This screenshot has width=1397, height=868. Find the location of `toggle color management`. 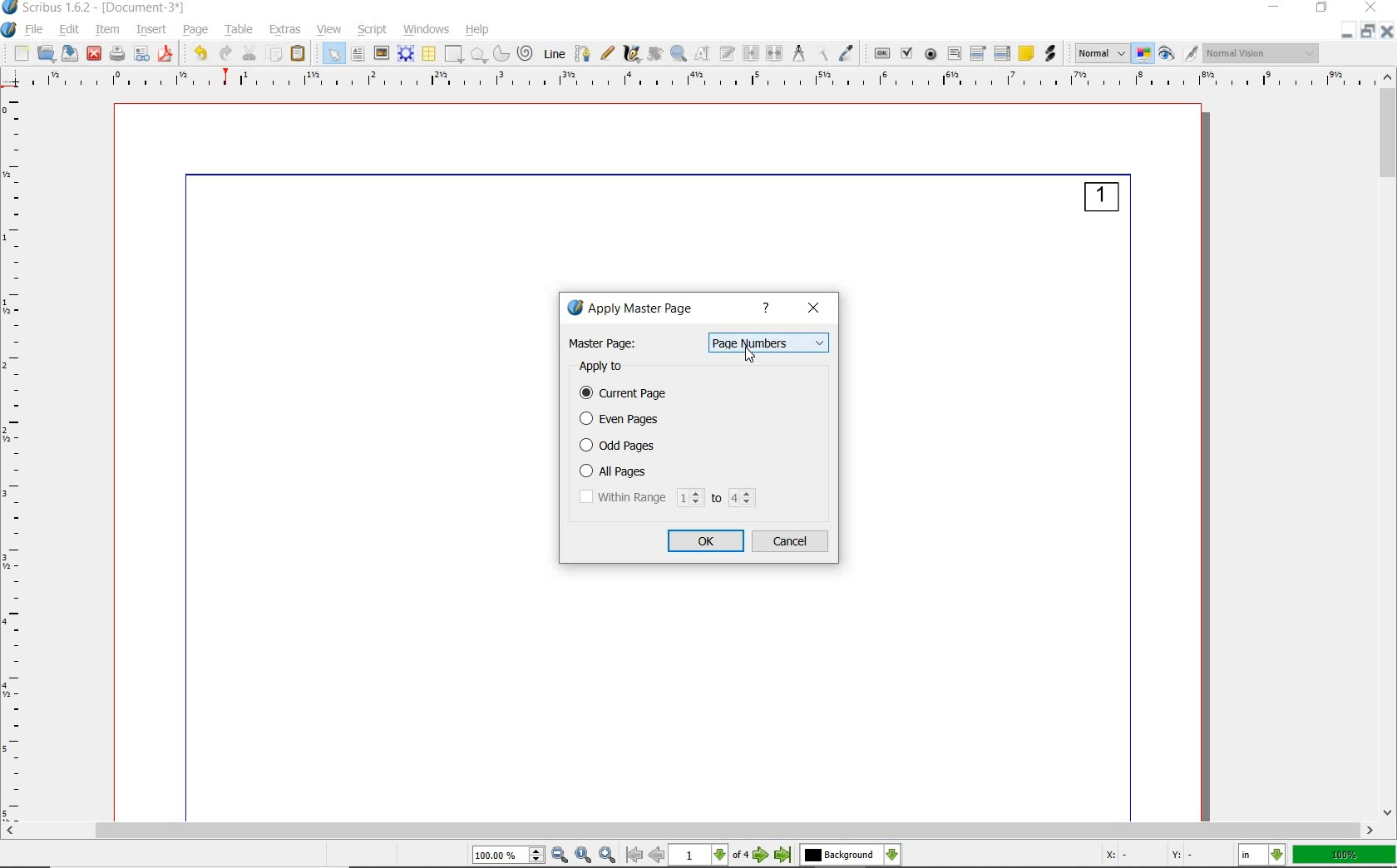

toggle color management is located at coordinates (1145, 53).